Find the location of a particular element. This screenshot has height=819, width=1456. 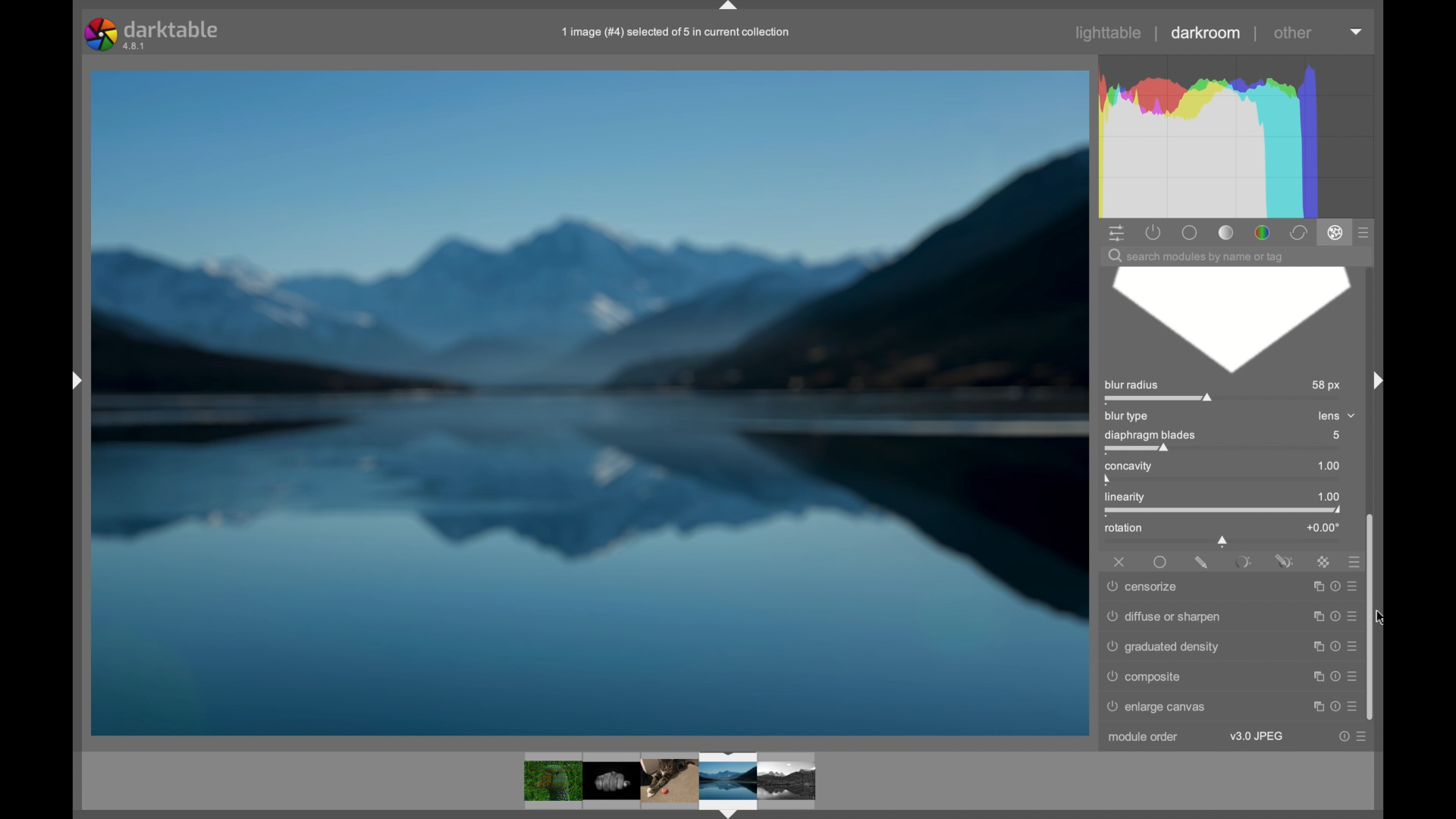

more options is located at coordinates (1352, 613).